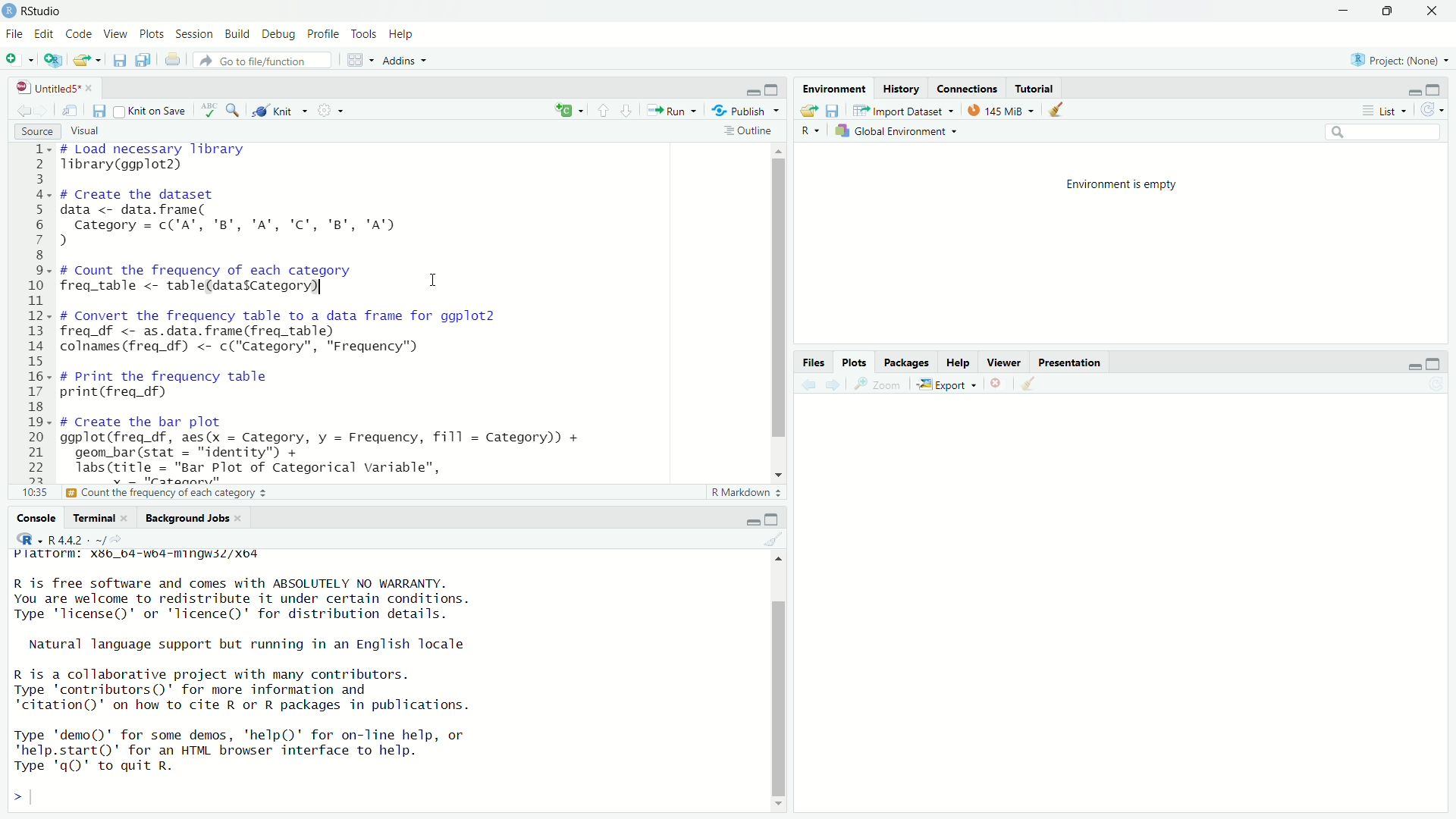 This screenshot has width=1456, height=819. I want to click on maximize, so click(777, 89).